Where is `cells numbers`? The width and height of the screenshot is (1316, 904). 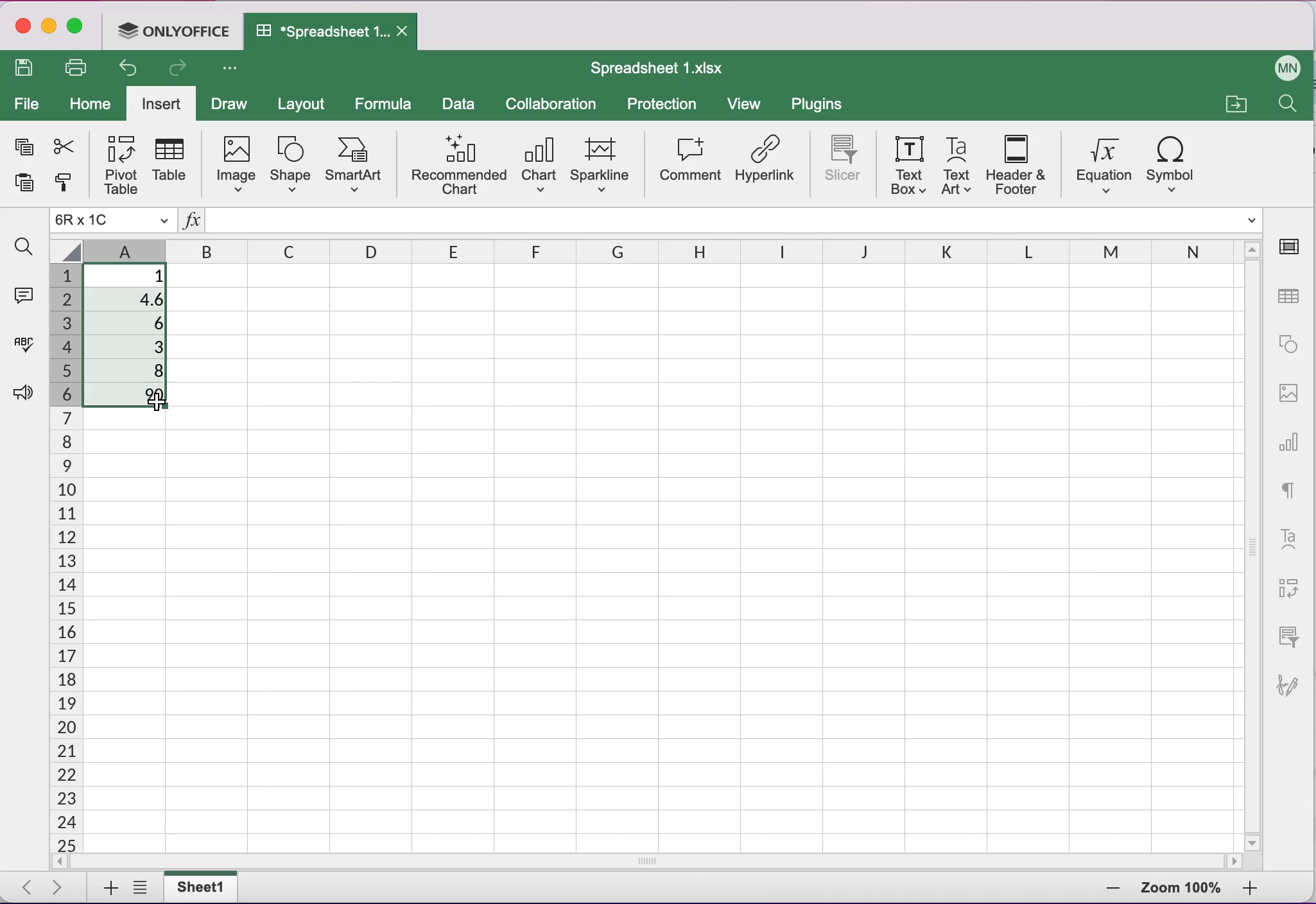 cells numbers is located at coordinates (62, 558).